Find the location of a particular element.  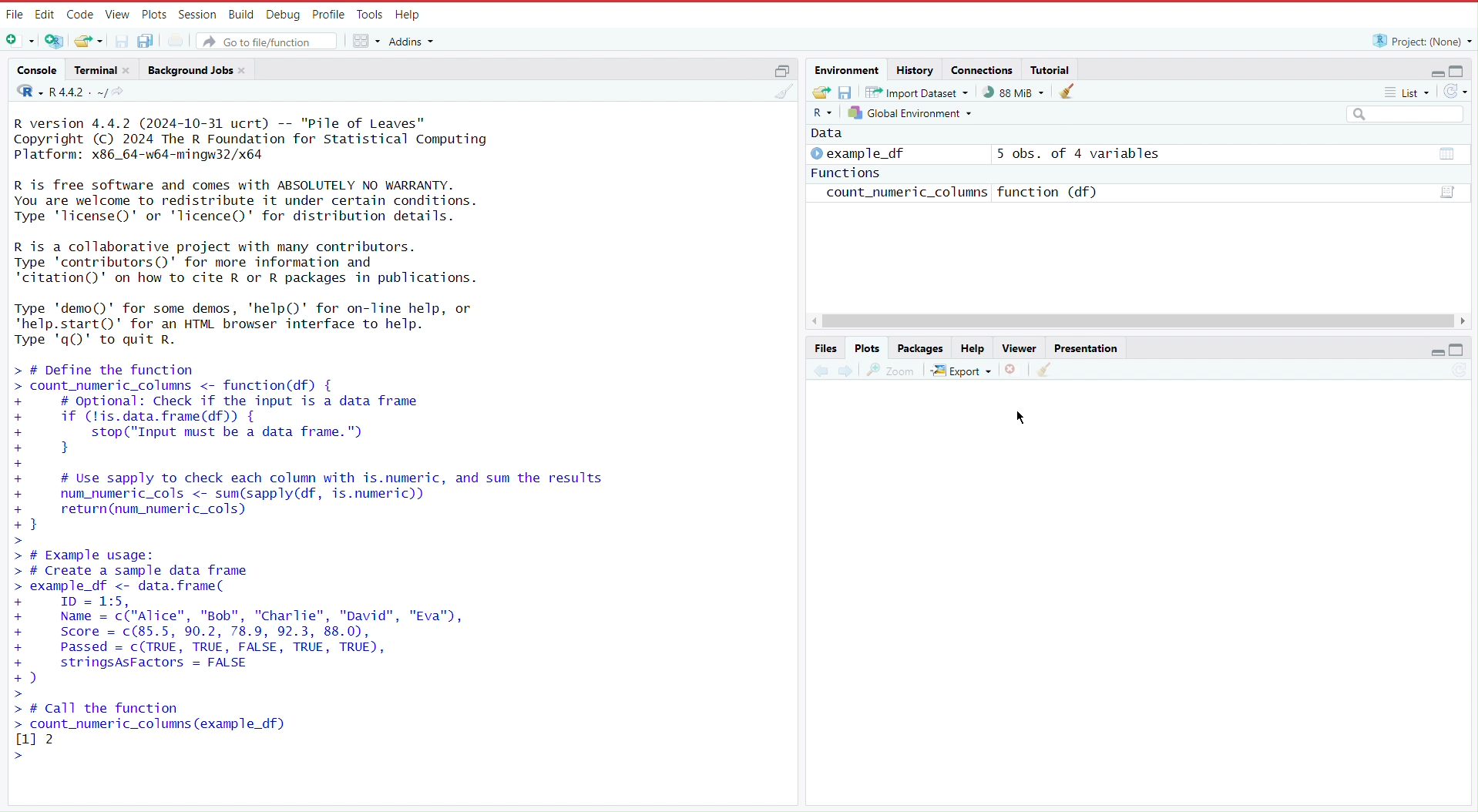

List is located at coordinates (1409, 95).